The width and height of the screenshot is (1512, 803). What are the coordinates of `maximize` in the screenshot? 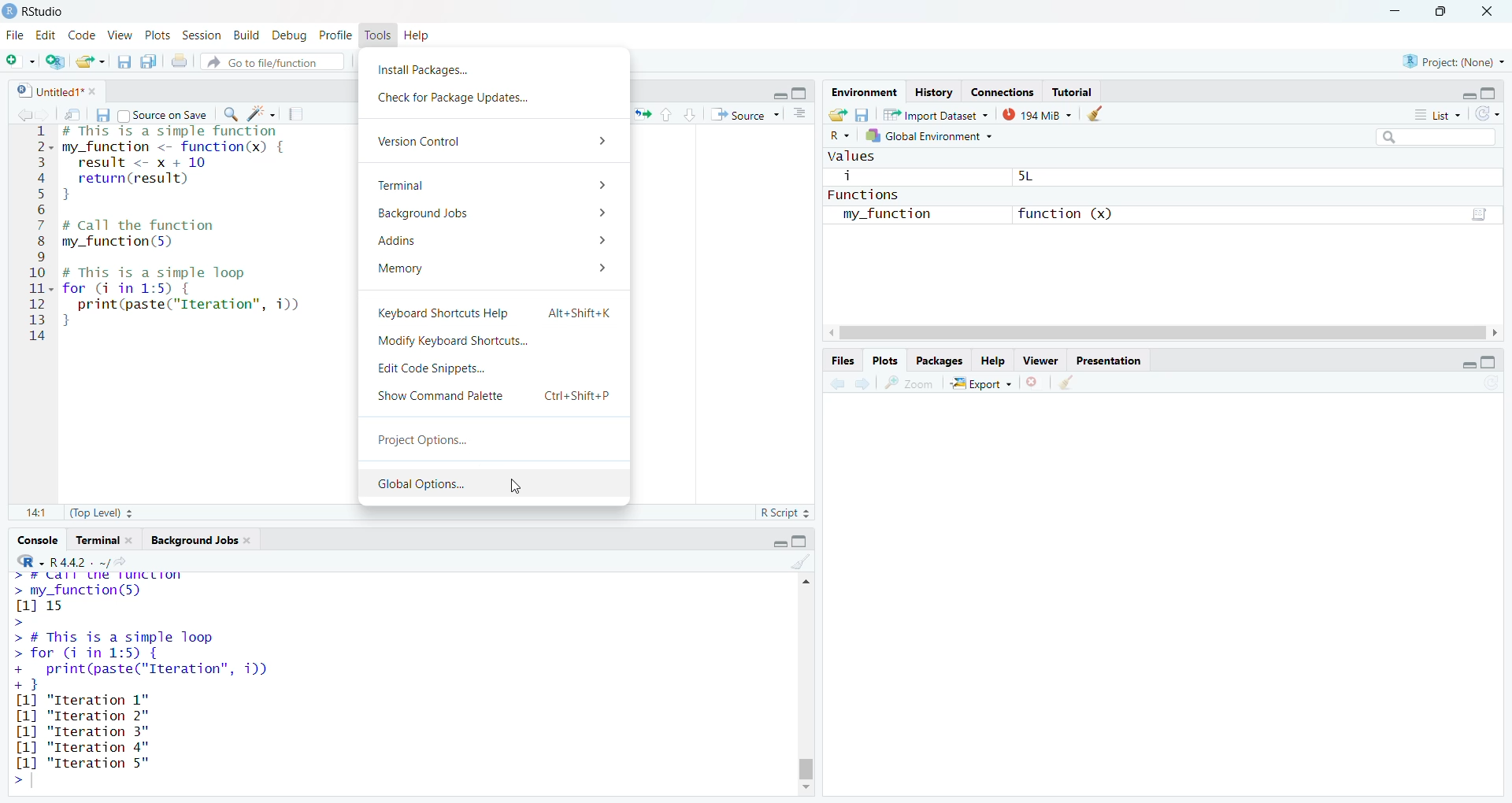 It's located at (805, 93).